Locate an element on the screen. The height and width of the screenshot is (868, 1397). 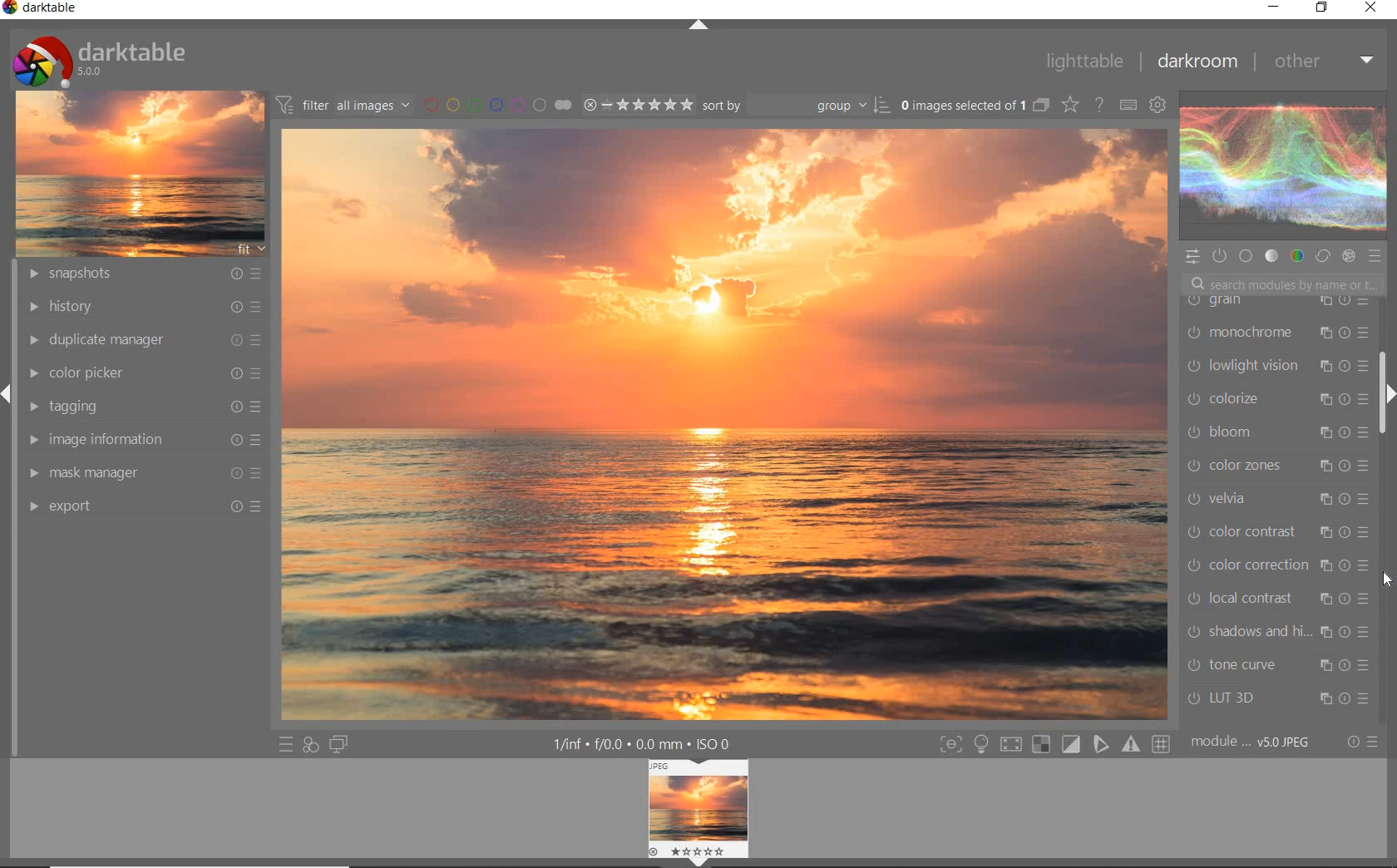
color zones is located at coordinates (1275, 467).